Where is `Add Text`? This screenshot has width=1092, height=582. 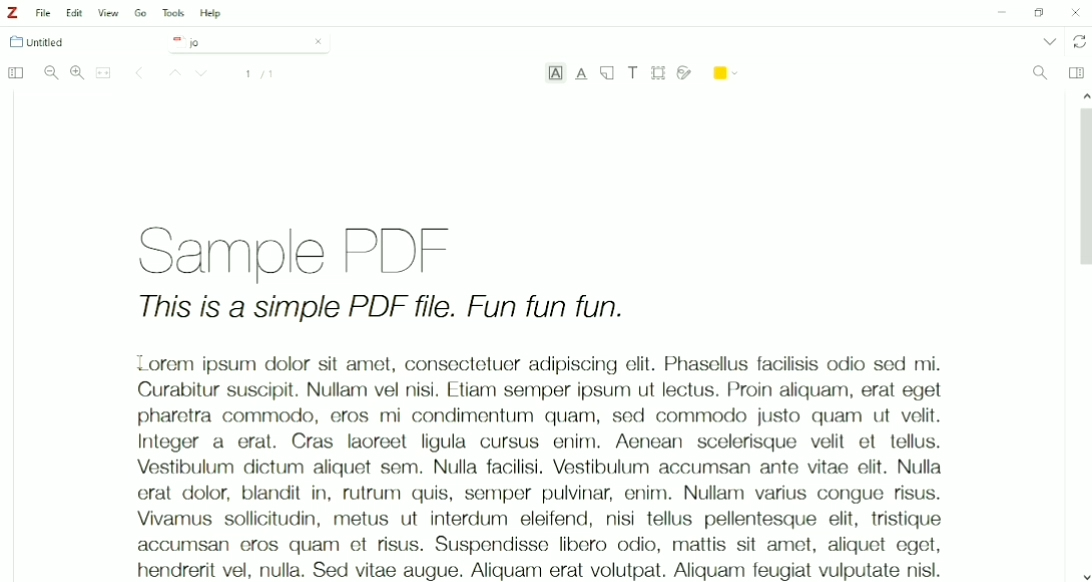 Add Text is located at coordinates (634, 72).